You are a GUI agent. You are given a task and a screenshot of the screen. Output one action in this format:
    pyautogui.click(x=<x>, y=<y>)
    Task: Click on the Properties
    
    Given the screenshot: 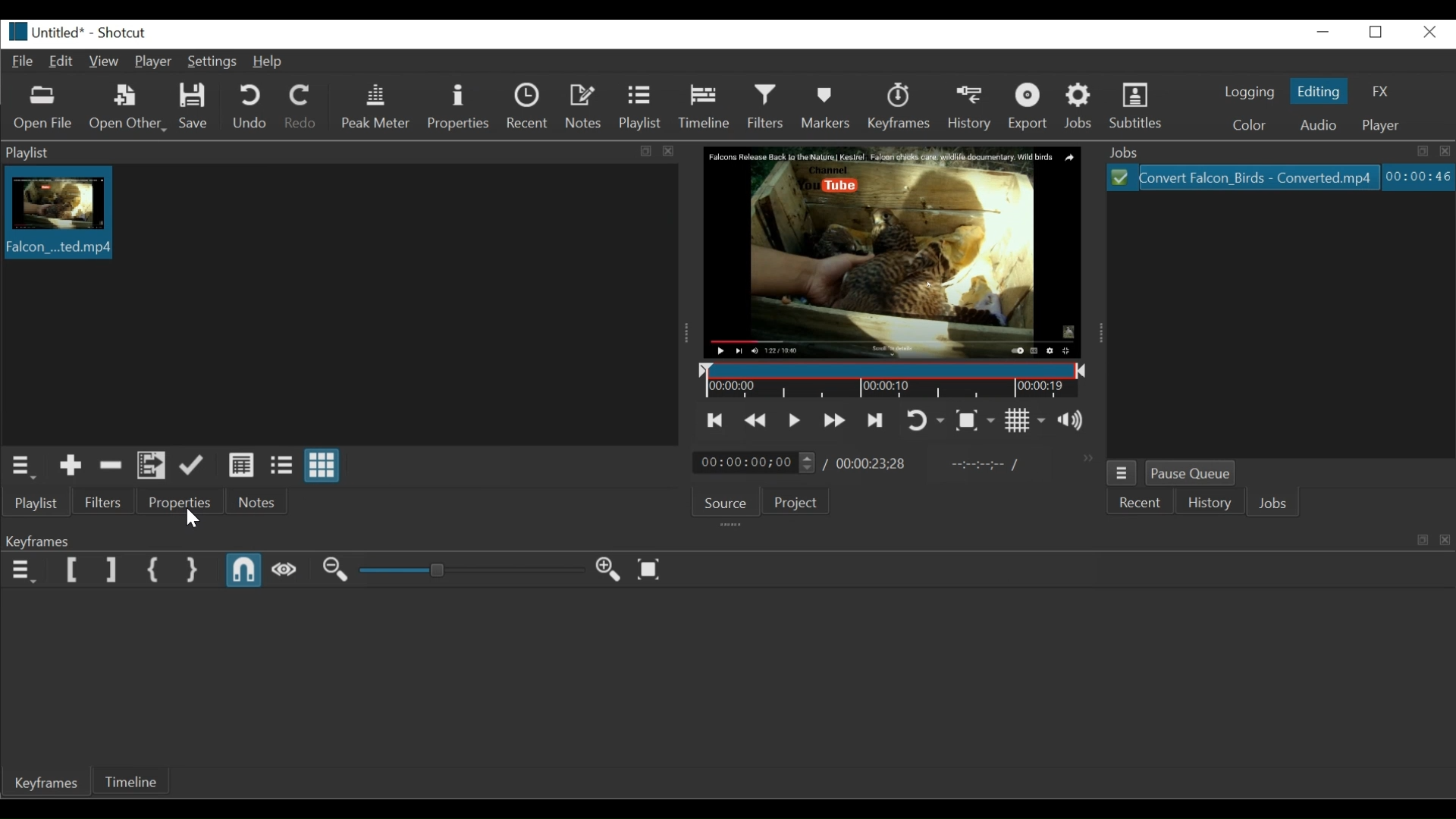 What is the action you would take?
    pyautogui.click(x=461, y=107)
    